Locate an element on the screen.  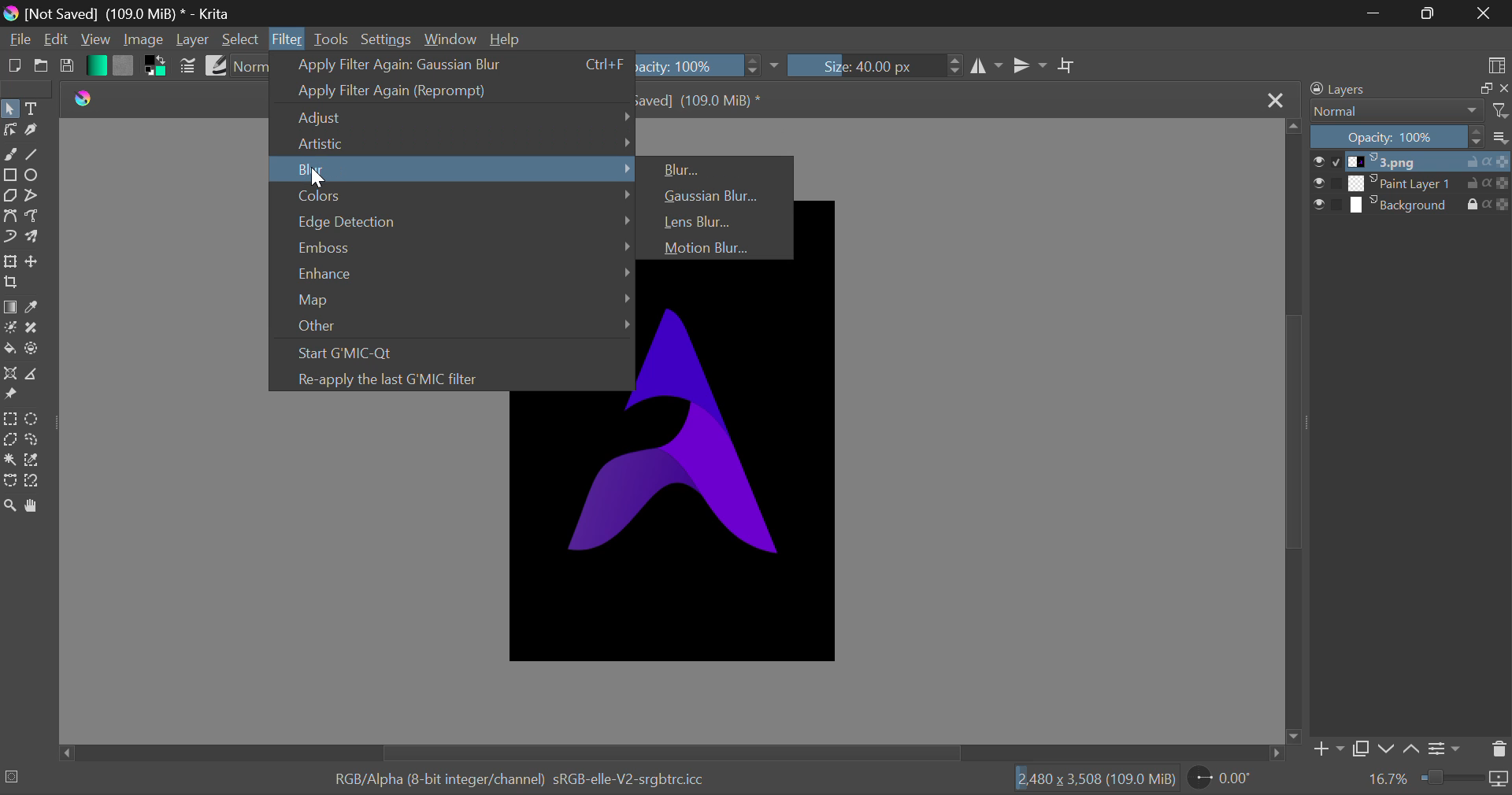
Pan is located at coordinates (38, 506).